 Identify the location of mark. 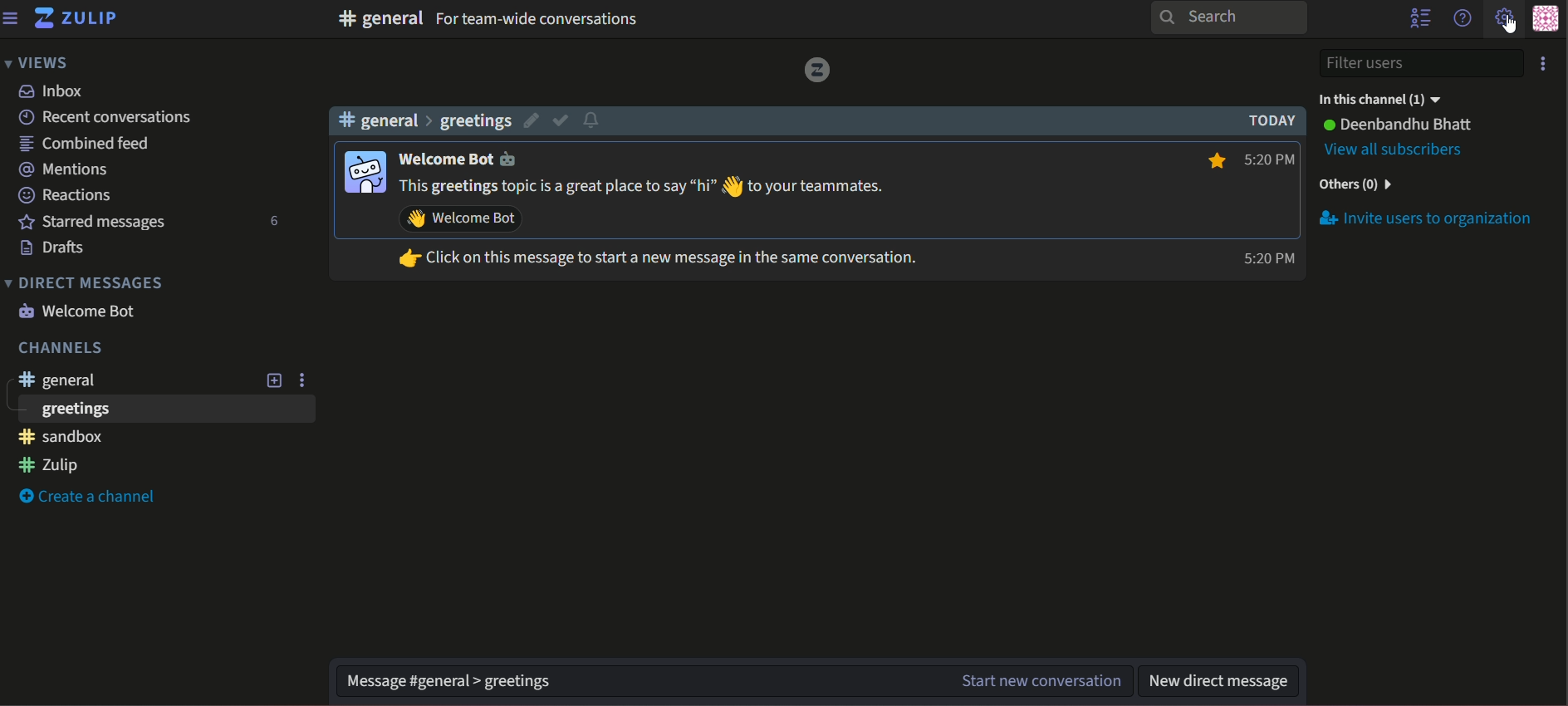
(561, 120).